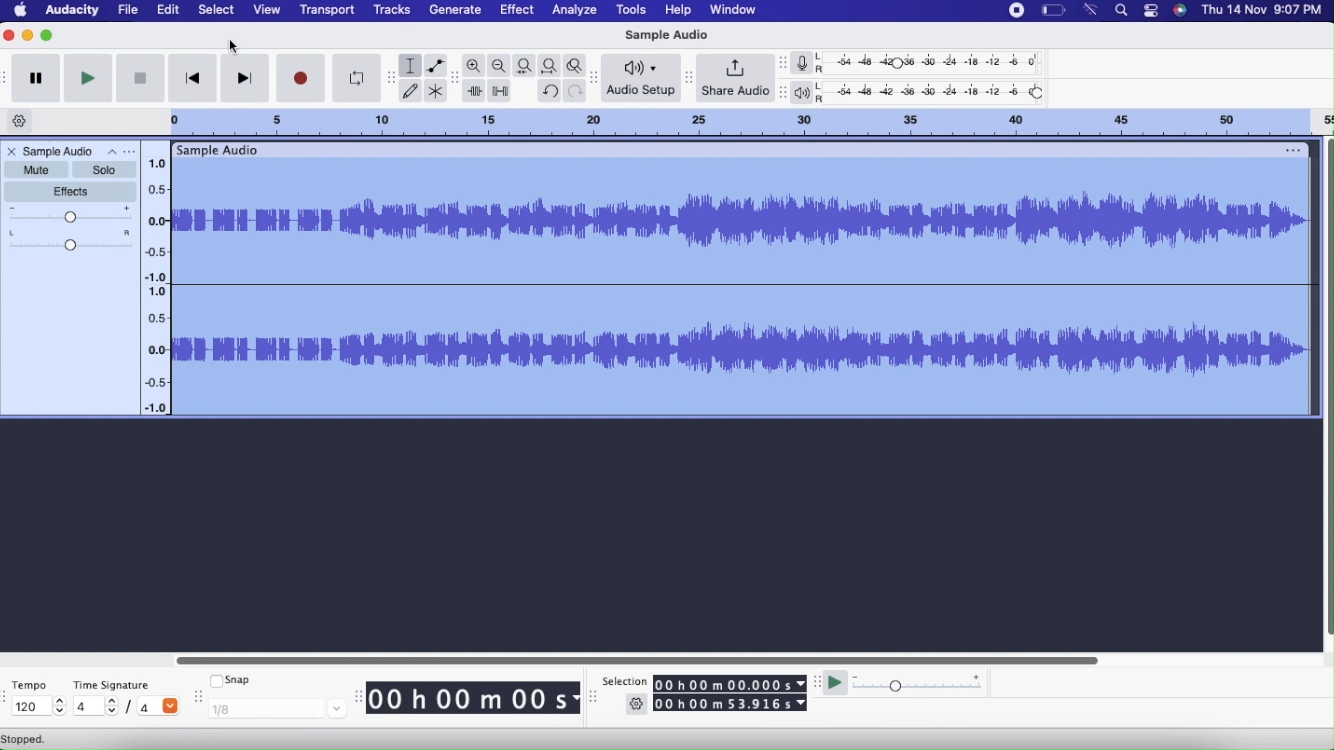 The height and width of the screenshot is (750, 1334). I want to click on Tempo, so click(31, 685).